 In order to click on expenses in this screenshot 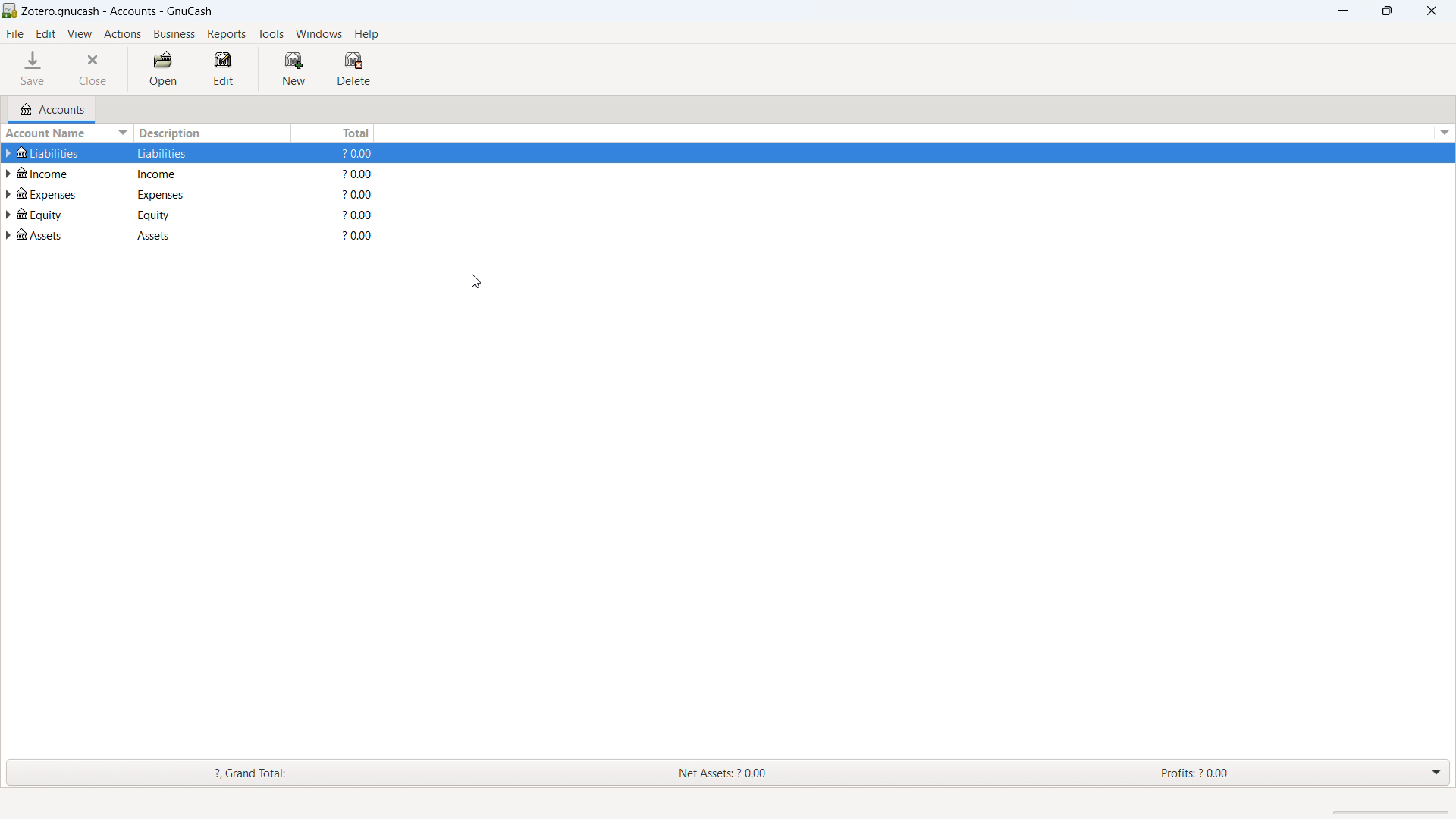, I will do `click(54, 193)`.